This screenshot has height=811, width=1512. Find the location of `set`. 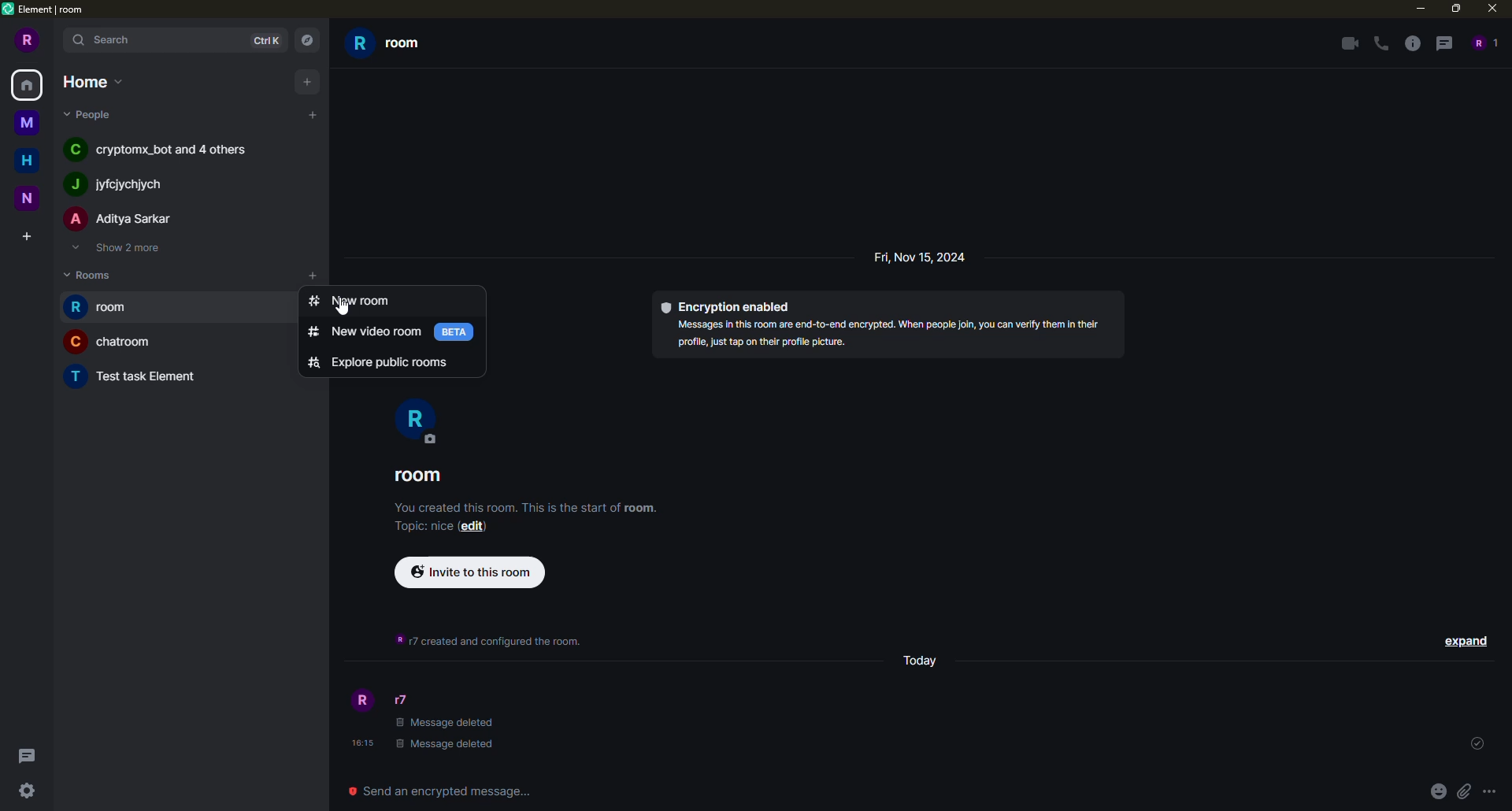

set is located at coordinates (1479, 742).